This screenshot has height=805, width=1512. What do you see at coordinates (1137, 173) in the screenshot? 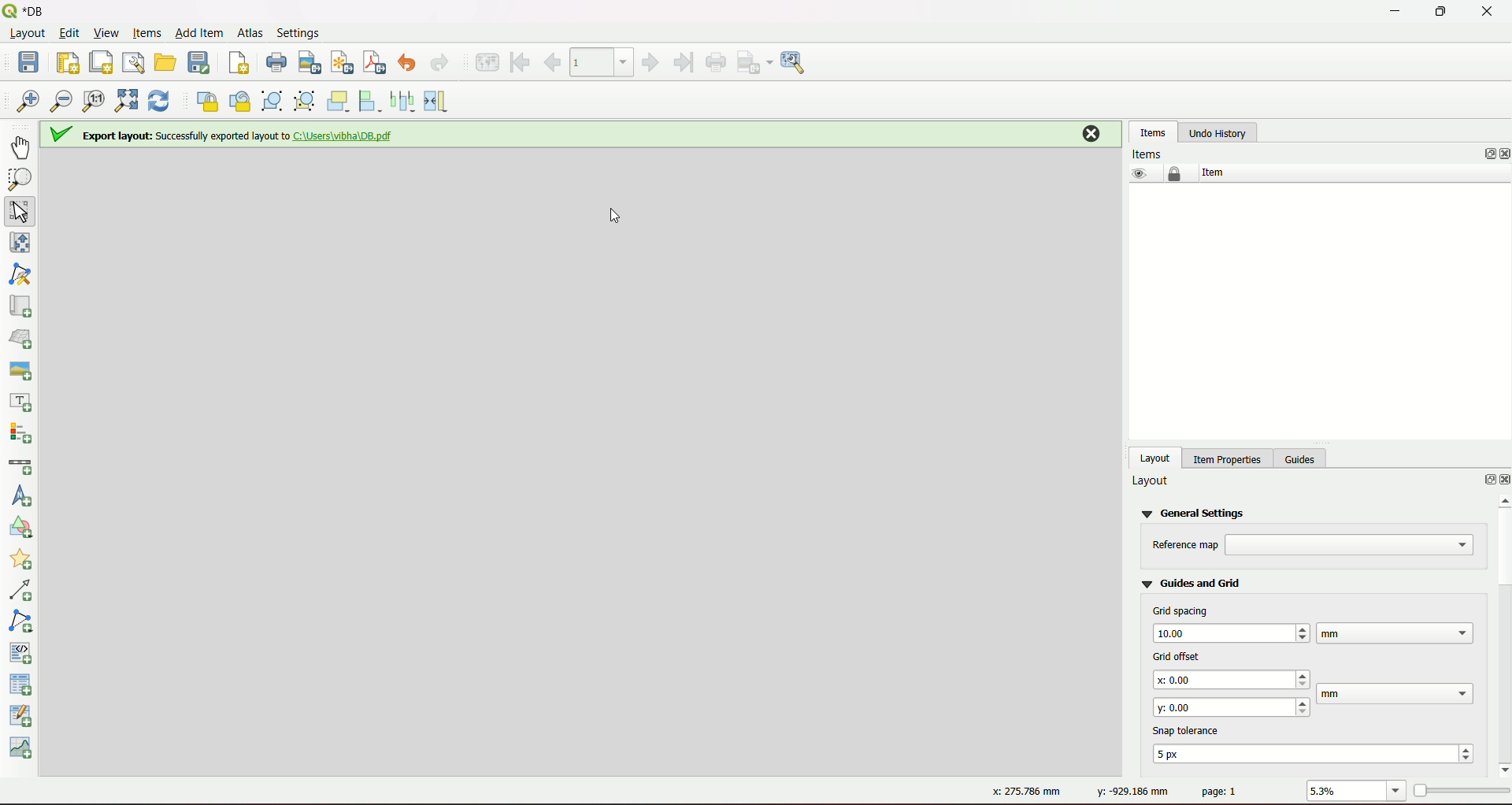
I see `eye` at bounding box center [1137, 173].